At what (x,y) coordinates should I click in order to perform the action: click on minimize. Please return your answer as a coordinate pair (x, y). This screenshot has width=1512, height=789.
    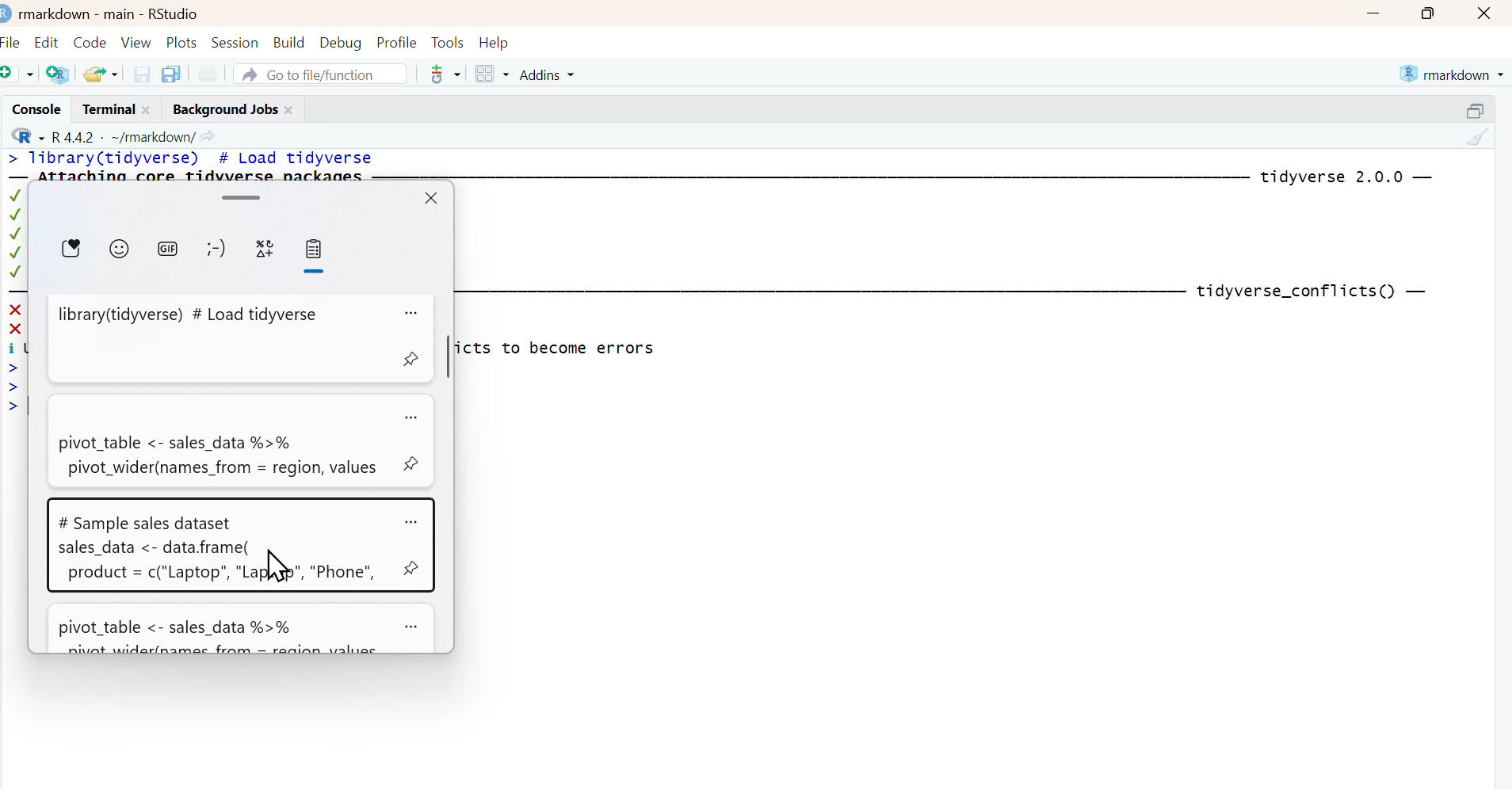
    Looking at the image, I should click on (1373, 13).